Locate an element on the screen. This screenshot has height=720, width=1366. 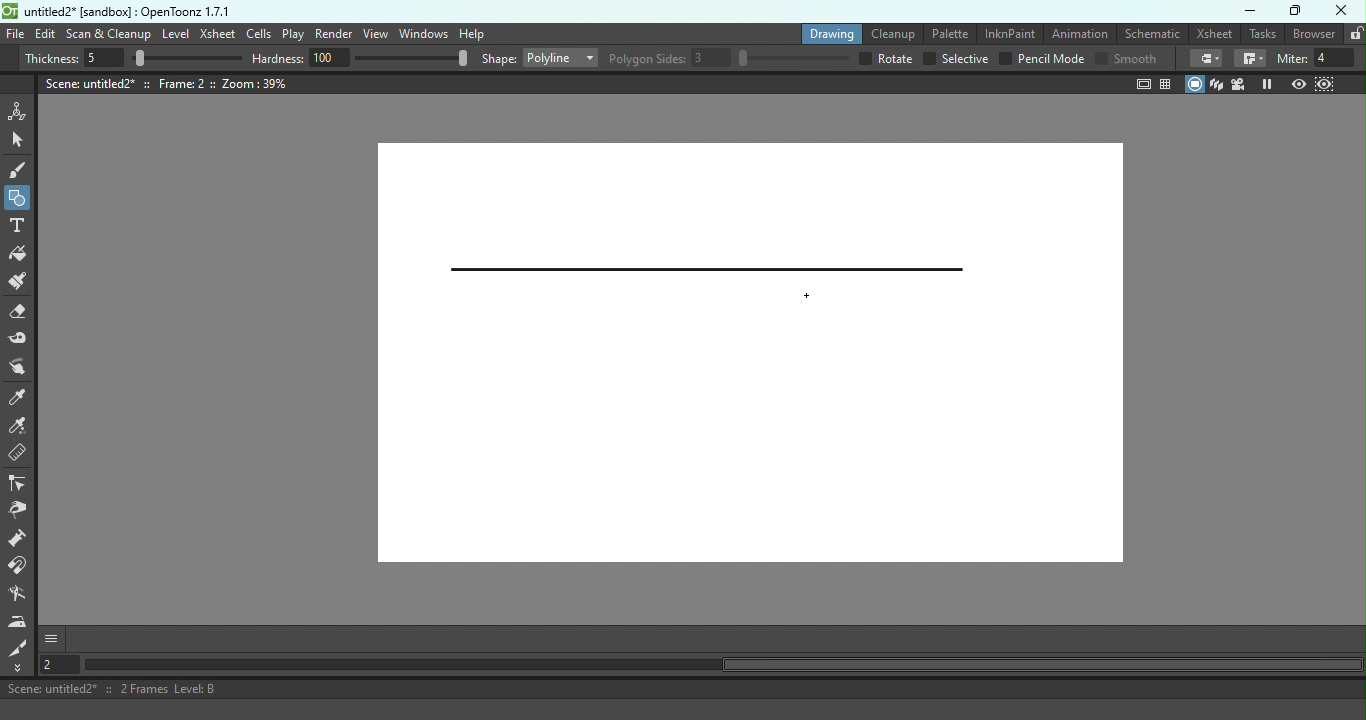
Safe area is located at coordinates (1142, 85).